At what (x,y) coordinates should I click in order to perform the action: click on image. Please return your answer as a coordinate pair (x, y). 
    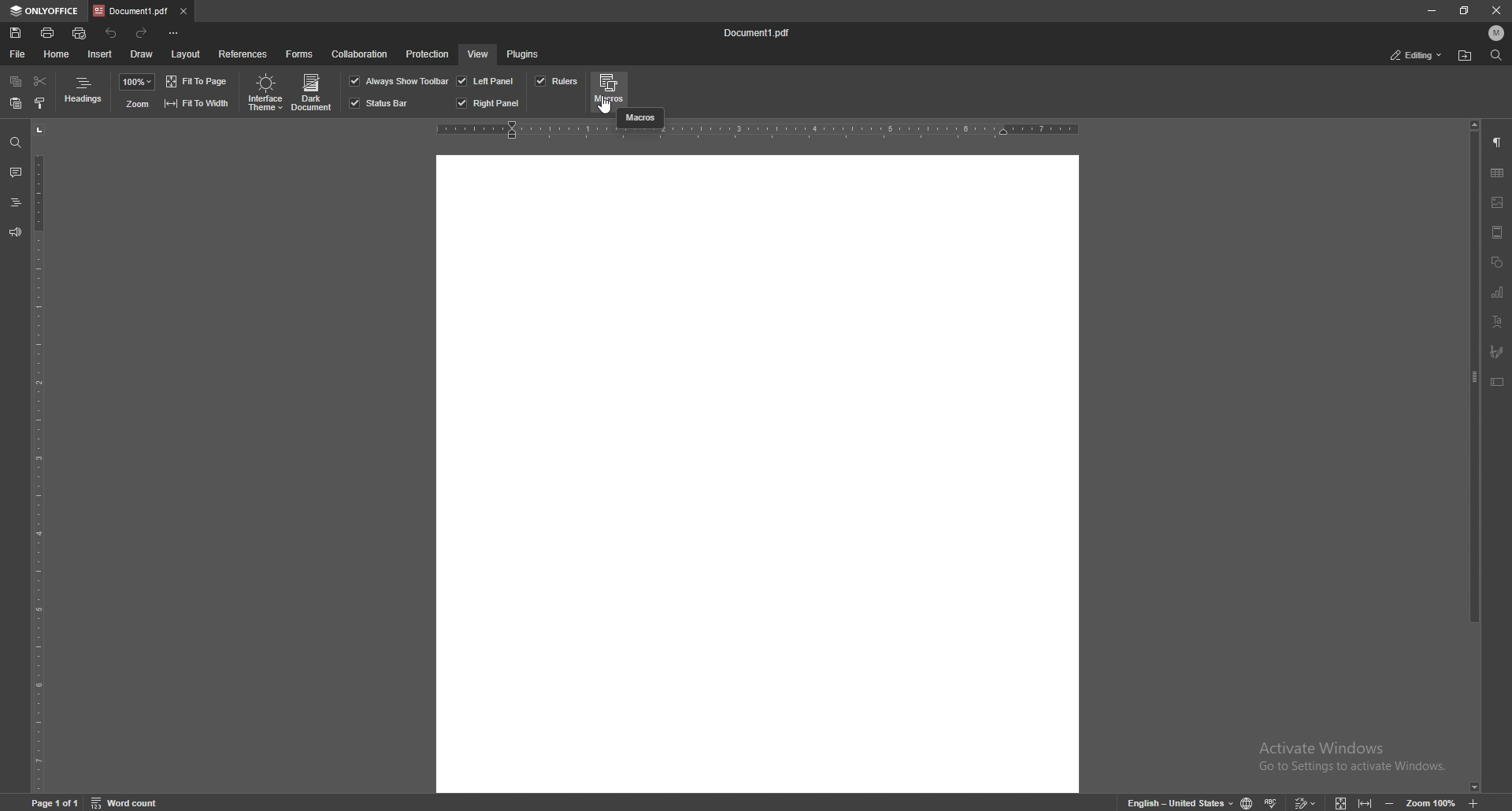
    Looking at the image, I should click on (1498, 202).